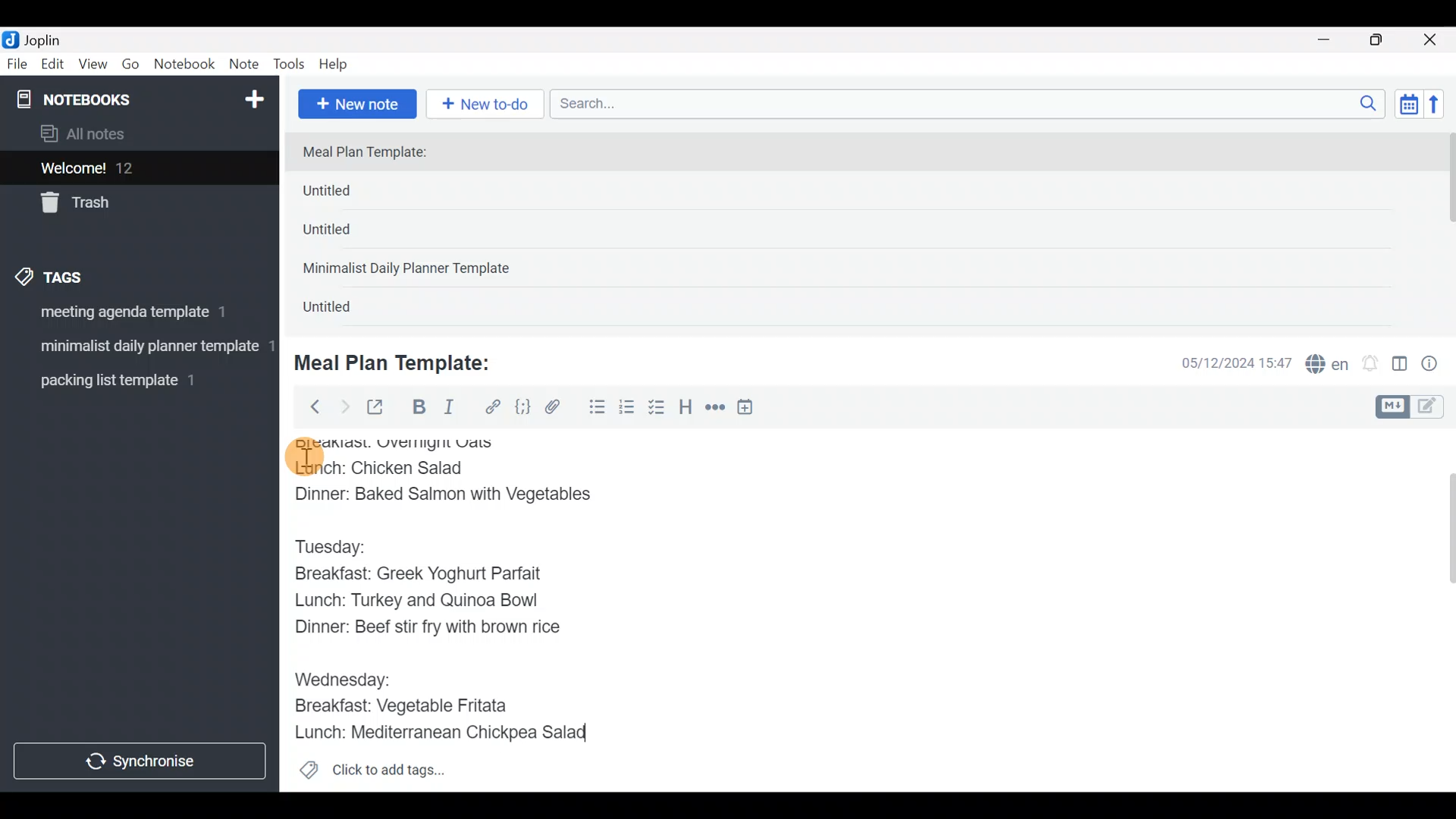 The image size is (1456, 819). Describe the element at coordinates (686, 409) in the screenshot. I see `Heading` at that location.